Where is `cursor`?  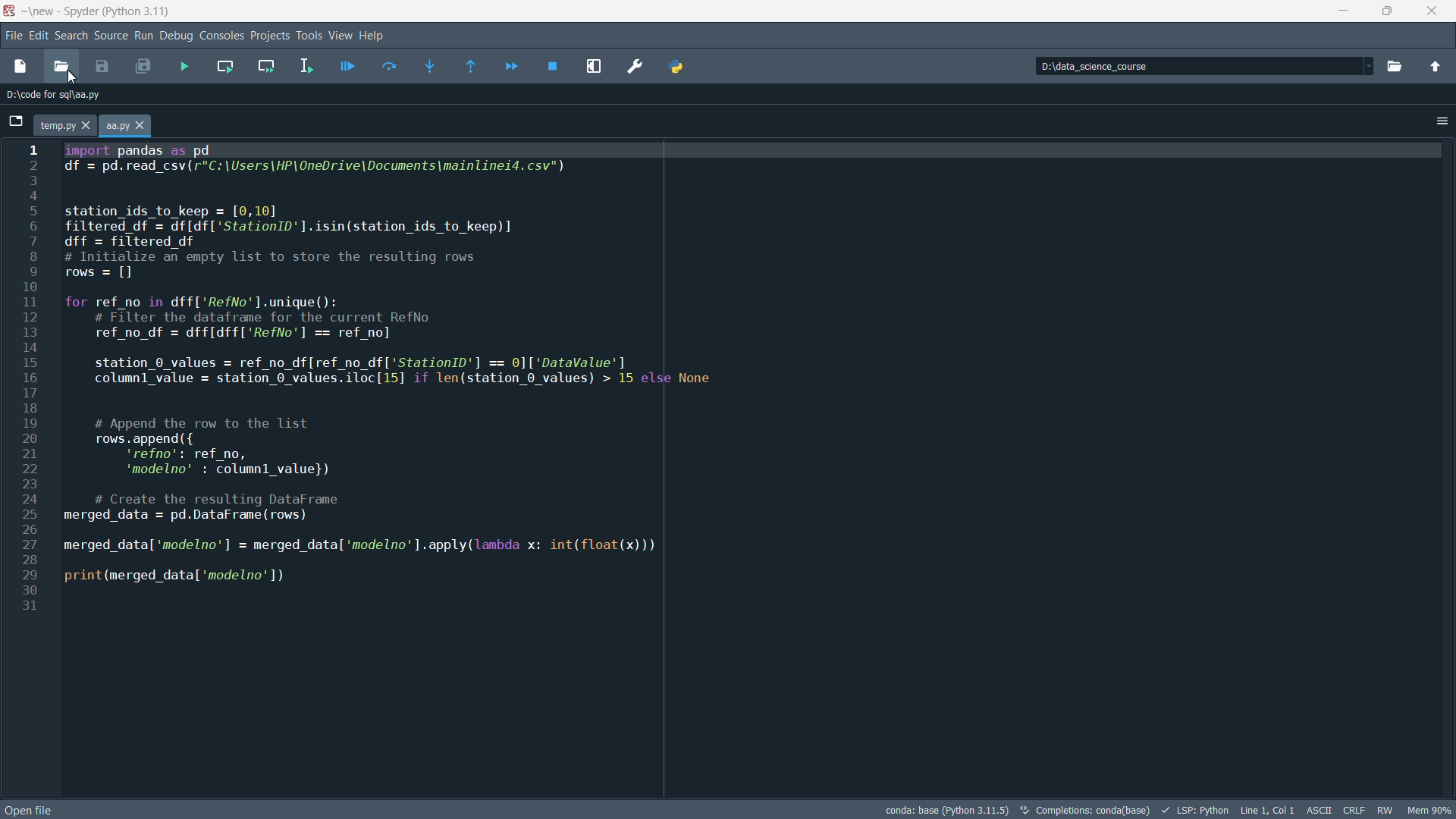
cursor is located at coordinates (72, 77).